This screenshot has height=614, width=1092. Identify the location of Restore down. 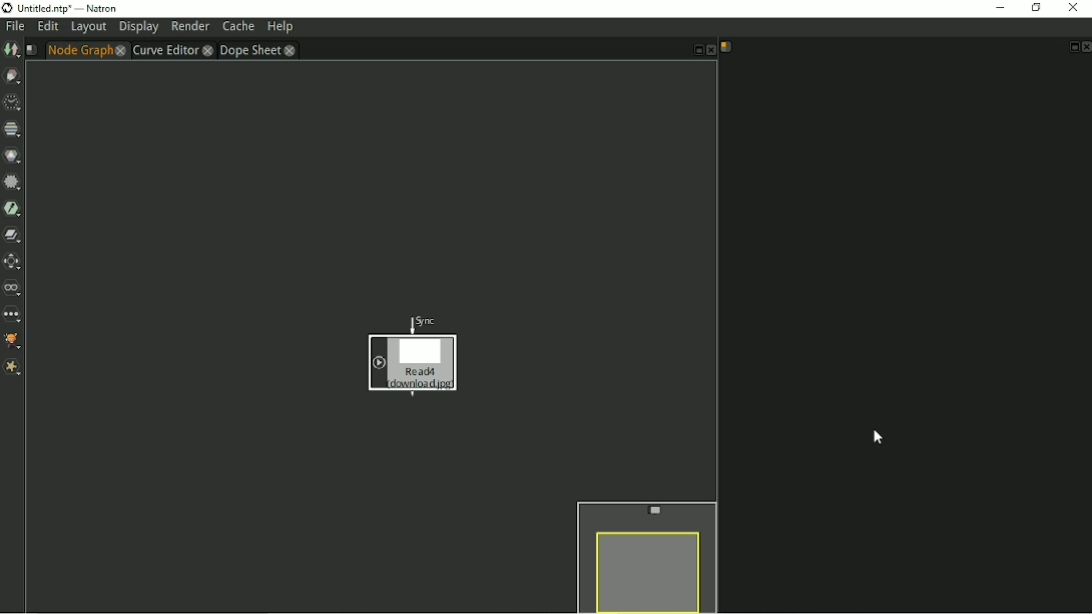
(1034, 8).